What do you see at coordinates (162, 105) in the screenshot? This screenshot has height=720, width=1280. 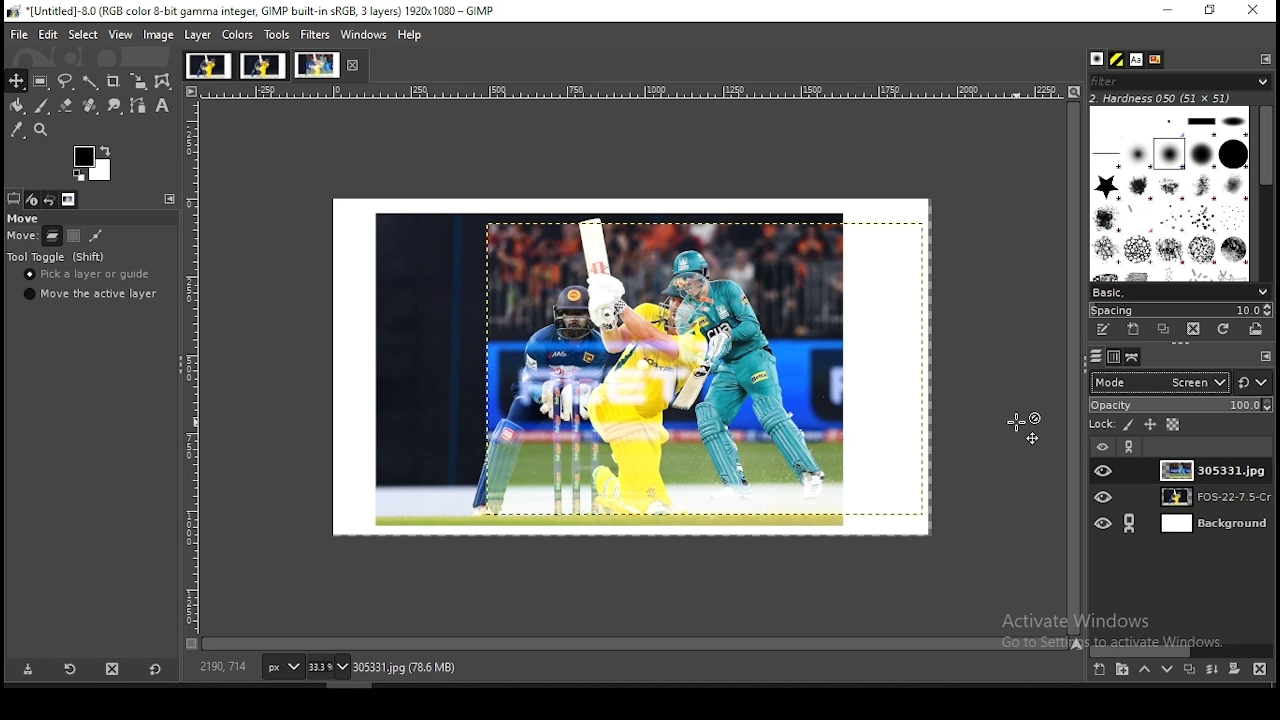 I see `text tool` at bounding box center [162, 105].